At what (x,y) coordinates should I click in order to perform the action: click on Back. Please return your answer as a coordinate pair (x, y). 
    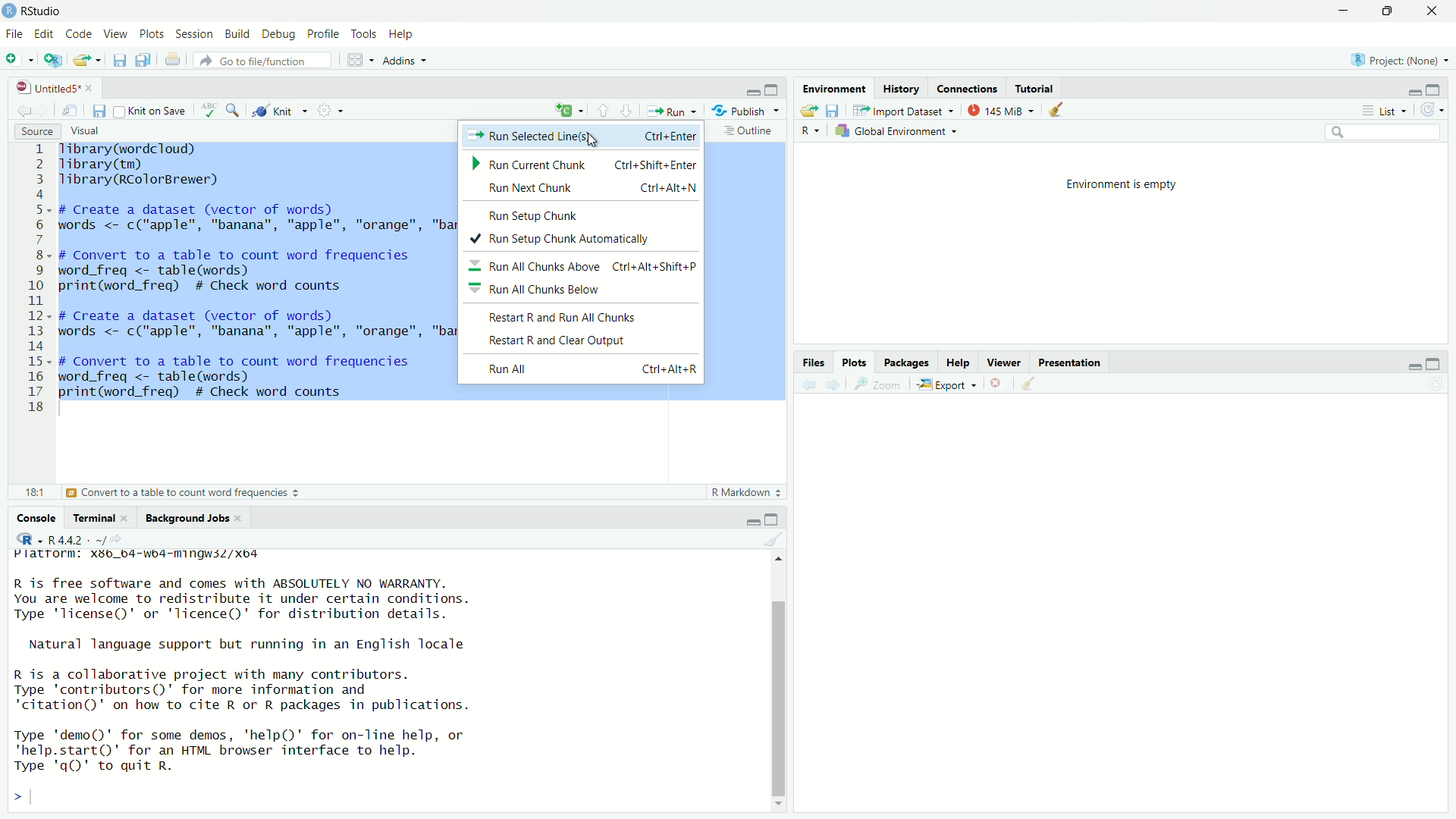
    Looking at the image, I should click on (805, 384).